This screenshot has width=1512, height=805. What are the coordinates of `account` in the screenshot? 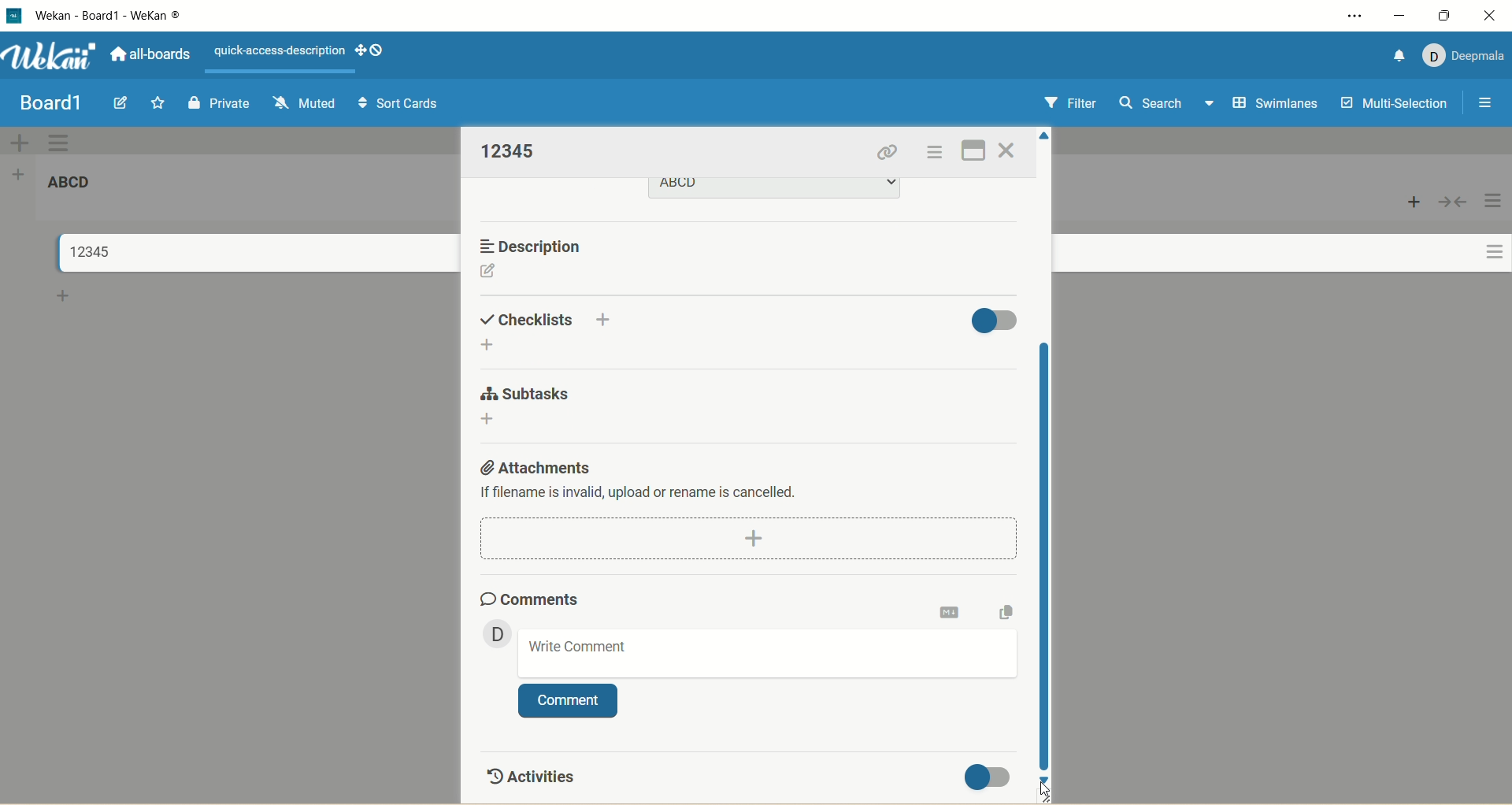 It's located at (1463, 52).